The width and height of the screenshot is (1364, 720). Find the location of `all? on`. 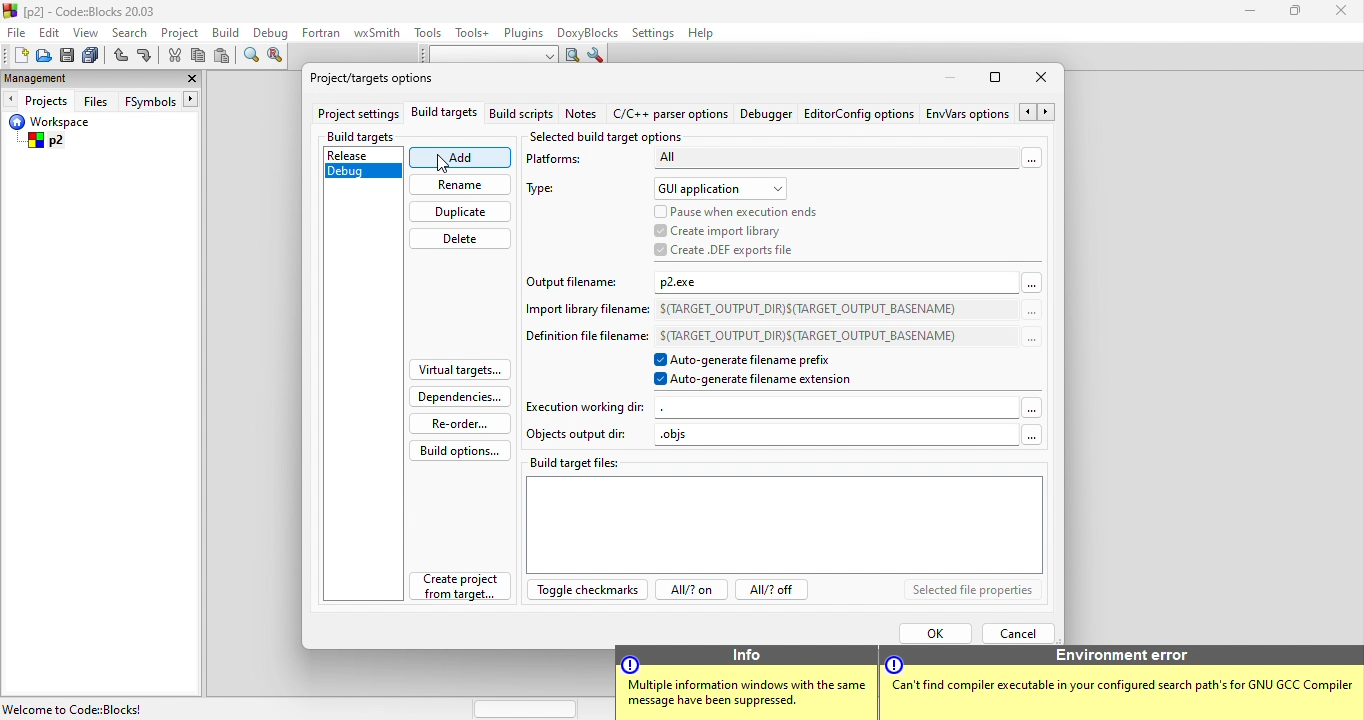

all? on is located at coordinates (695, 590).